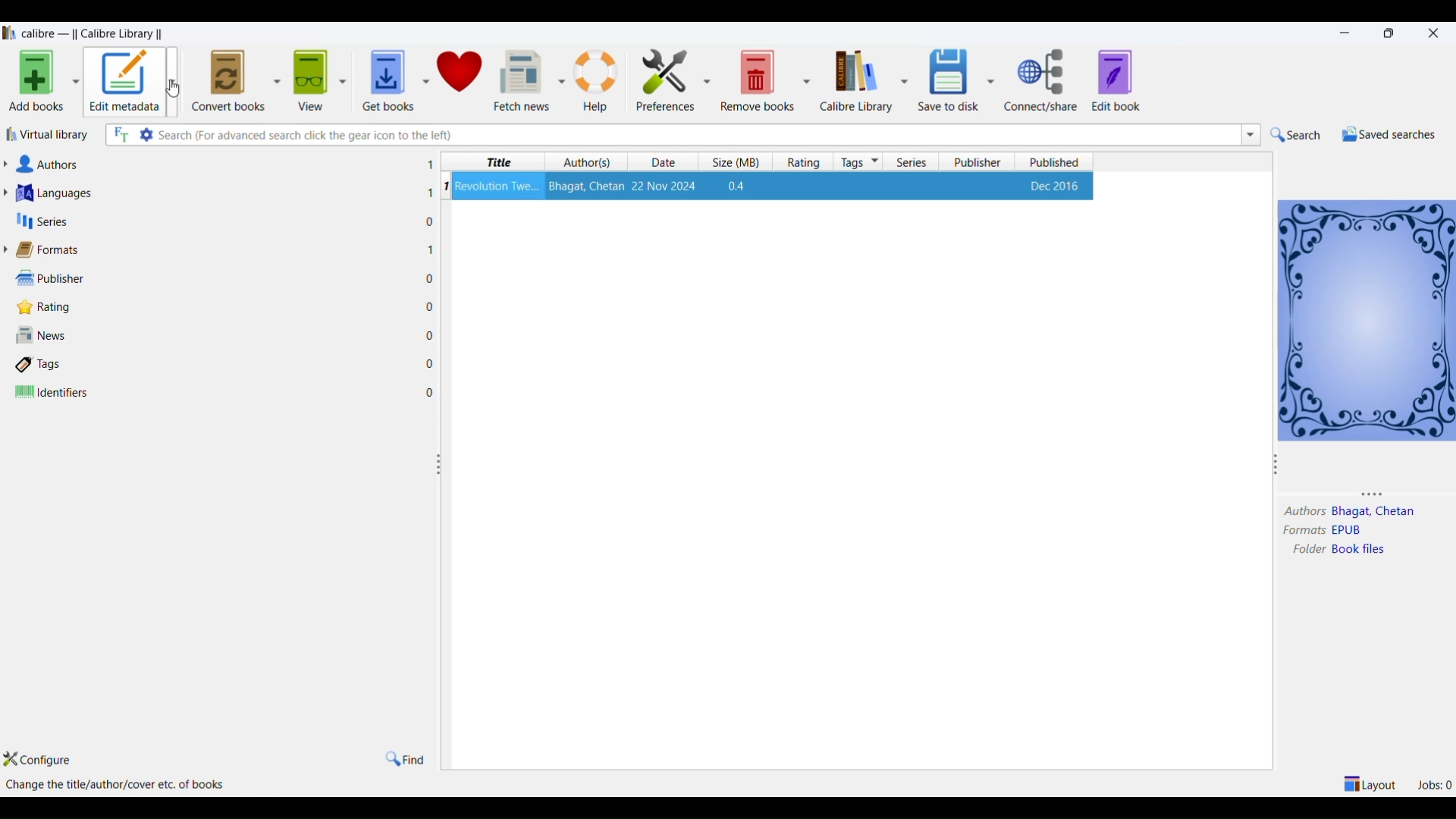 This screenshot has width=1456, height=819. Describe the element at coordinates (1387, 134) in the screenshot. I see `saved searches` at that location.